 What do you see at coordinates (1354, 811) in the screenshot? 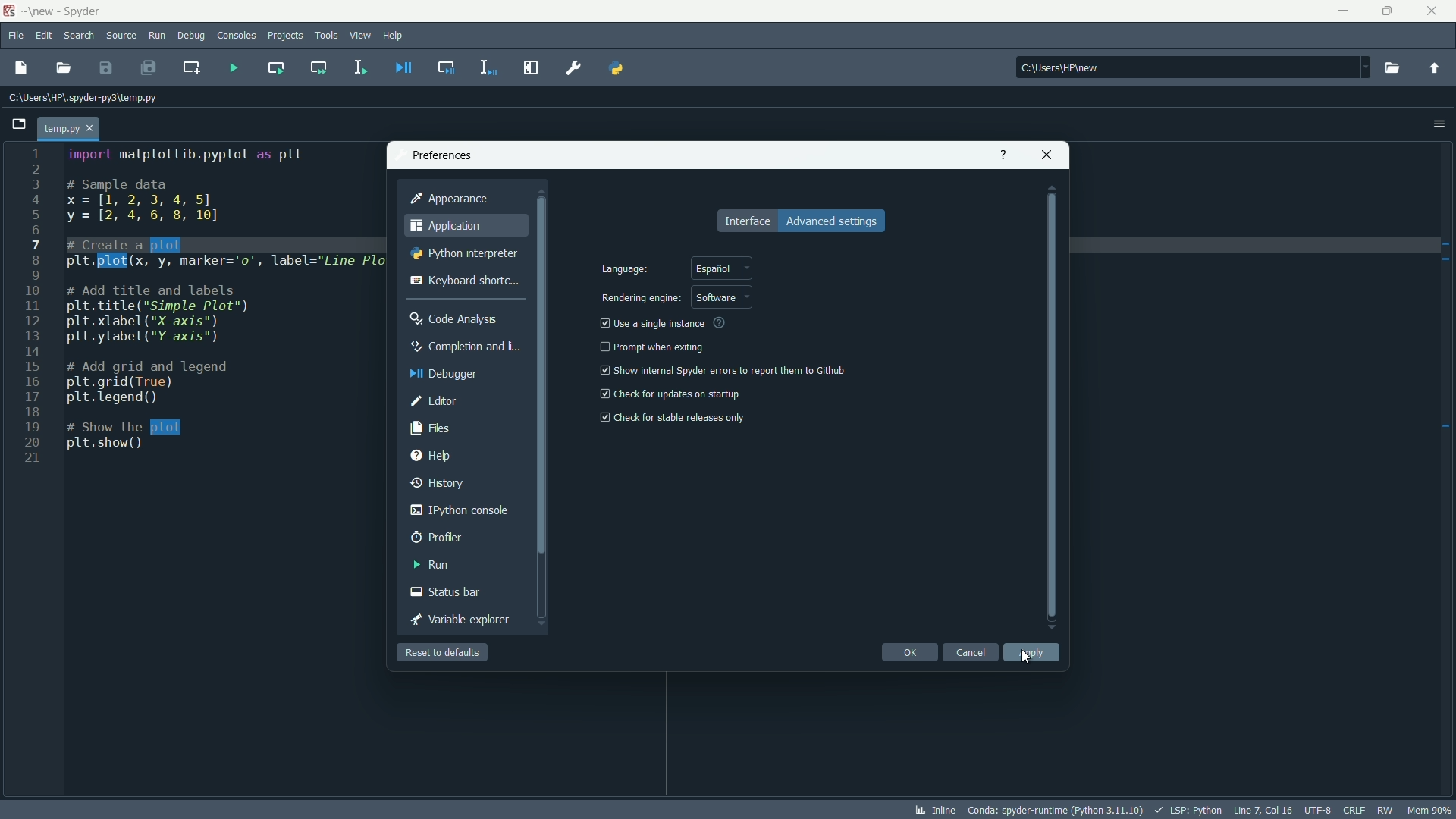
I see `file eol status` at bounding box center [1354, 811].